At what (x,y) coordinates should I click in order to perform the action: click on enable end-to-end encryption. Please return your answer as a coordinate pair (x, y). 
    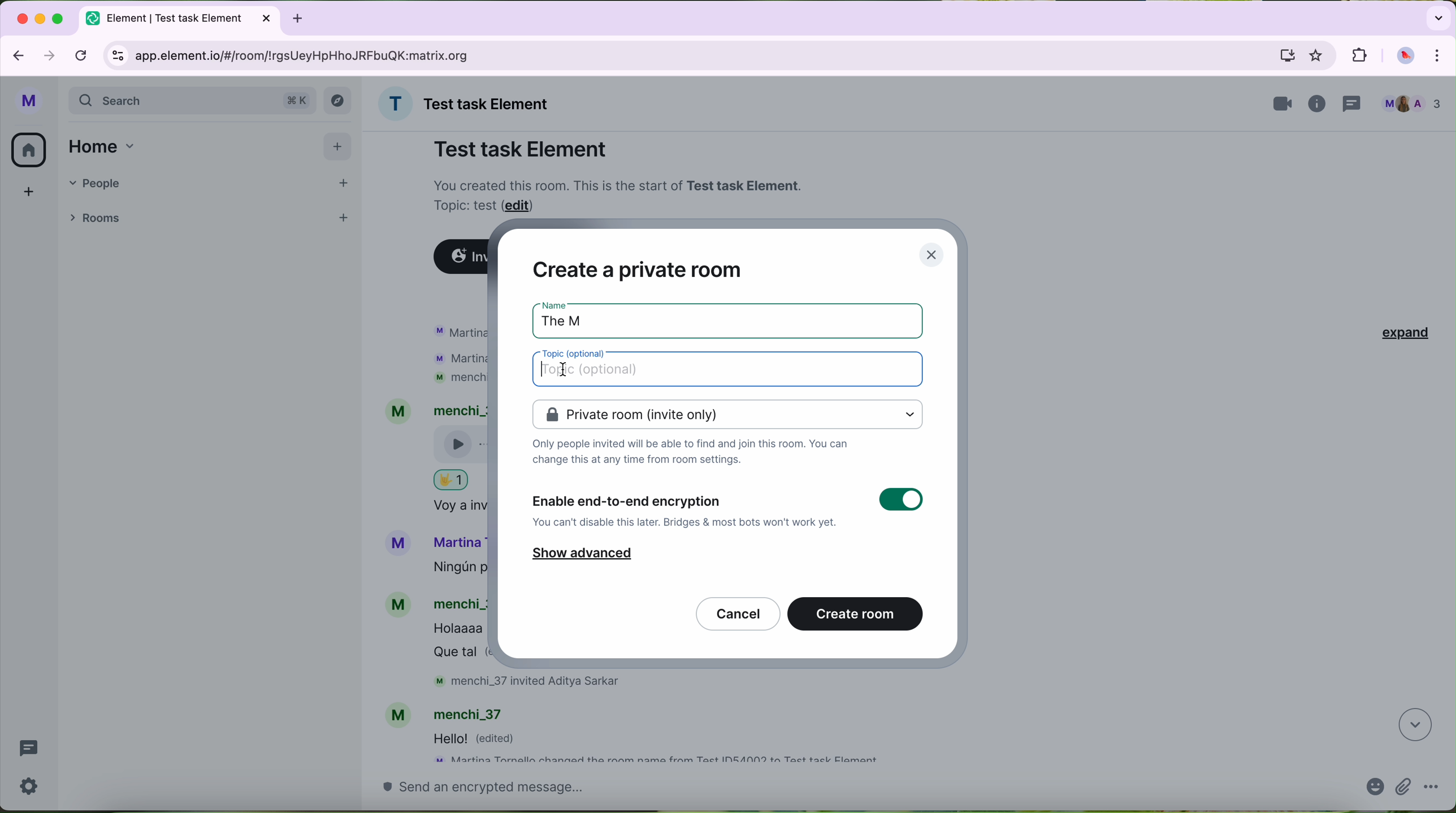
    Looking at the image, I should click on (686, 510).